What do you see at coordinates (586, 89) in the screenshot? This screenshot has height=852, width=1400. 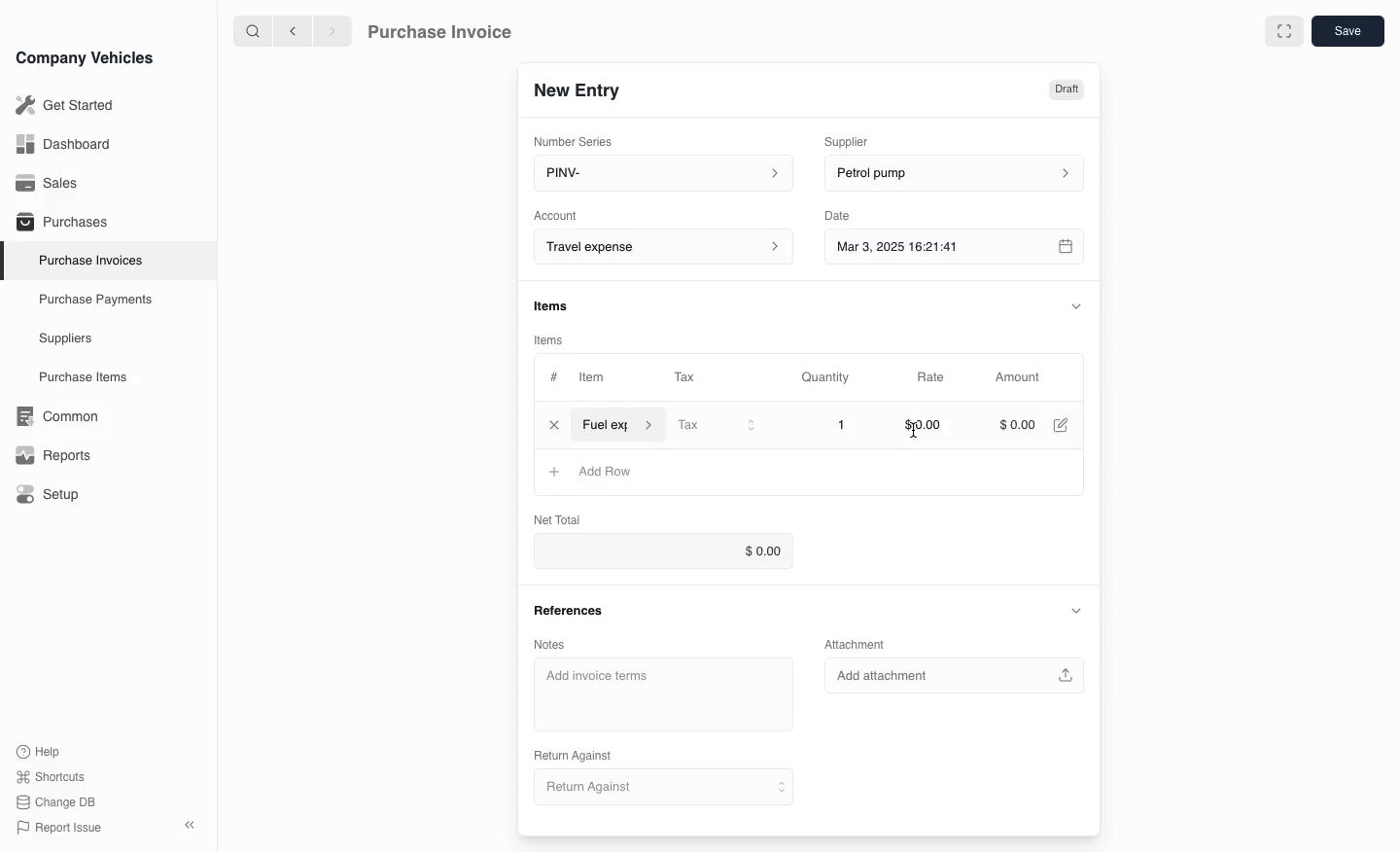 I see `New Entry` at bounding box center [586, 89].